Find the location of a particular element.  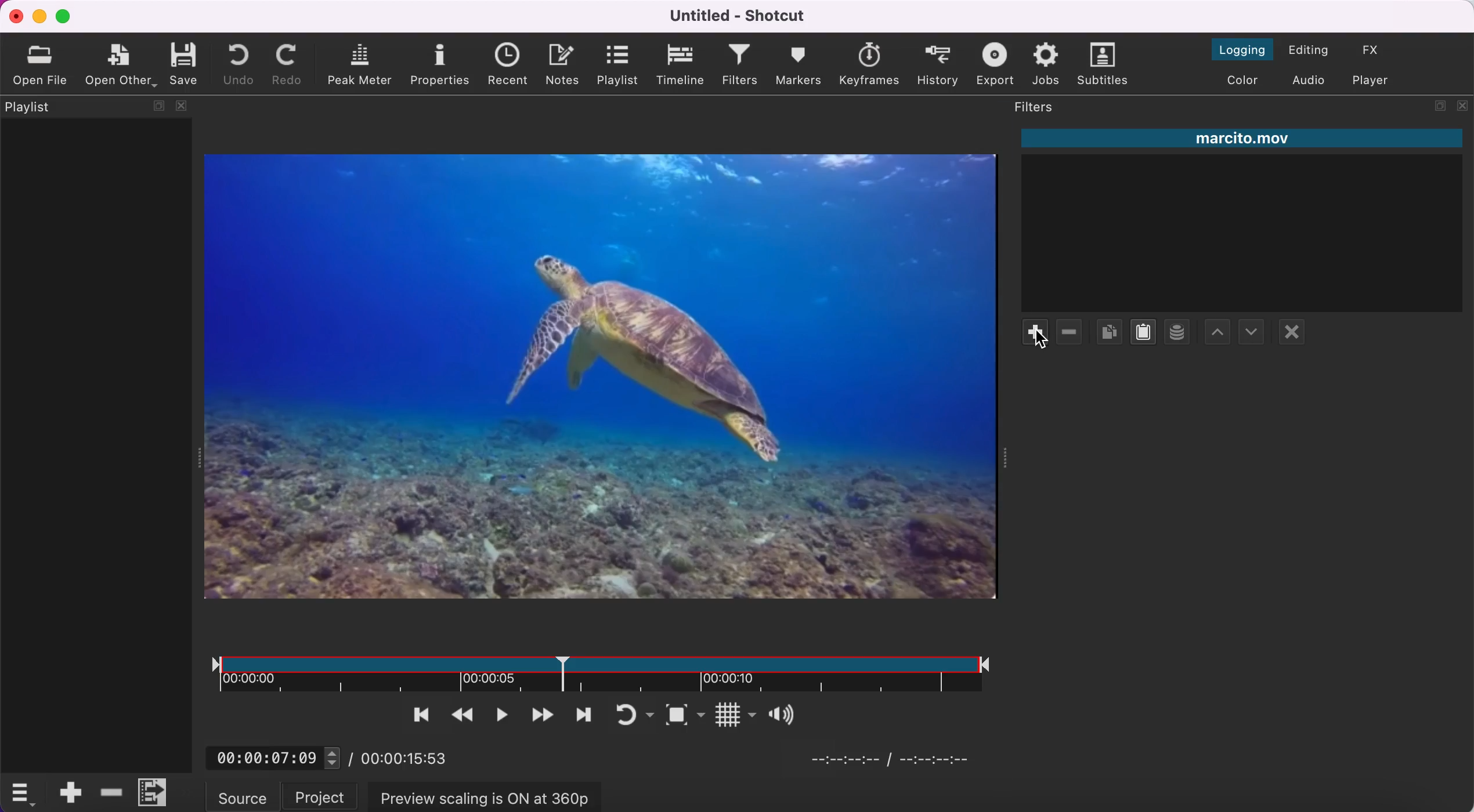

markers is located at coordinates (800, 66).